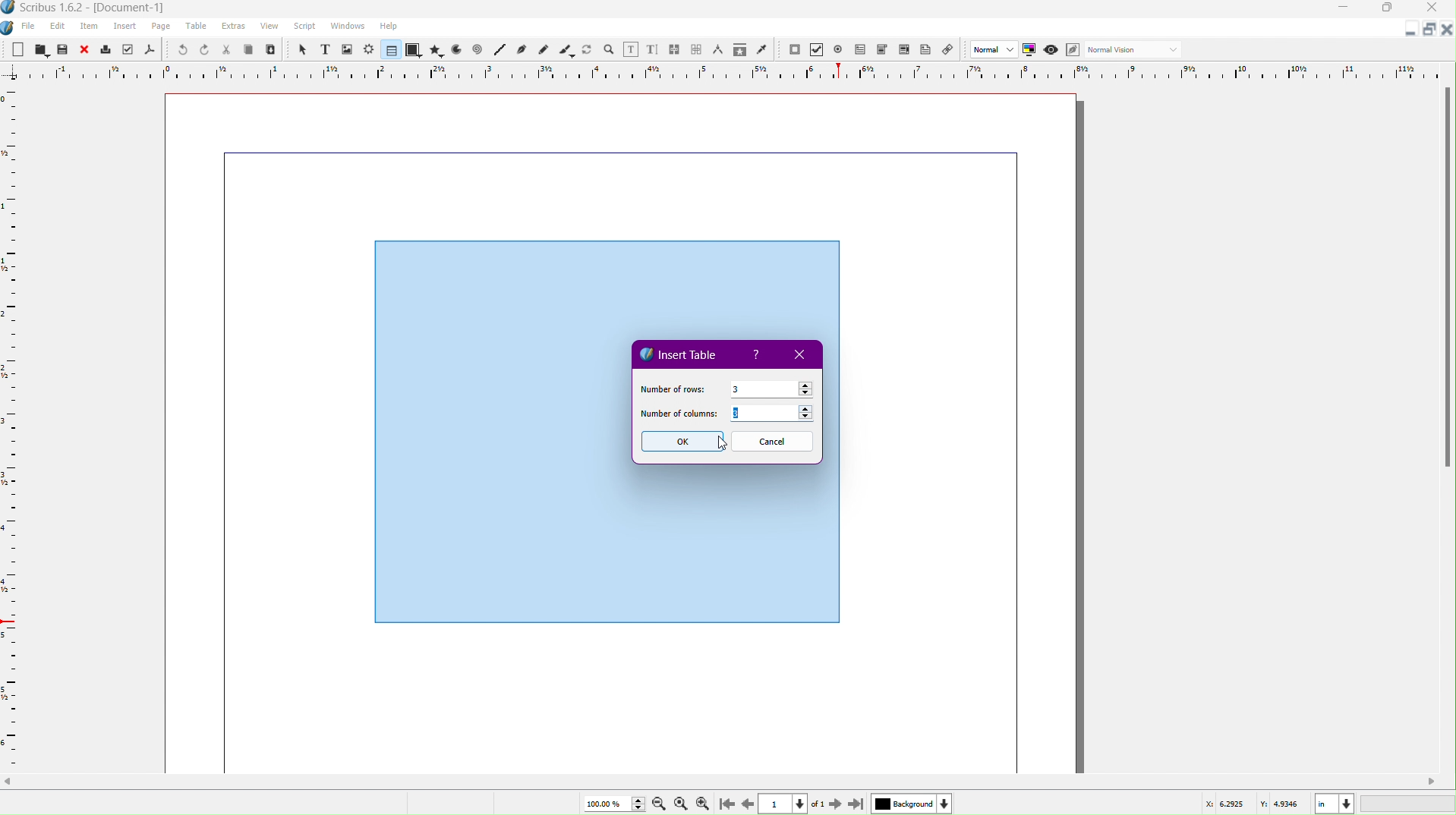 This screenshot has width=1456, height=815. I want to click on Rows, so click(771, 388).